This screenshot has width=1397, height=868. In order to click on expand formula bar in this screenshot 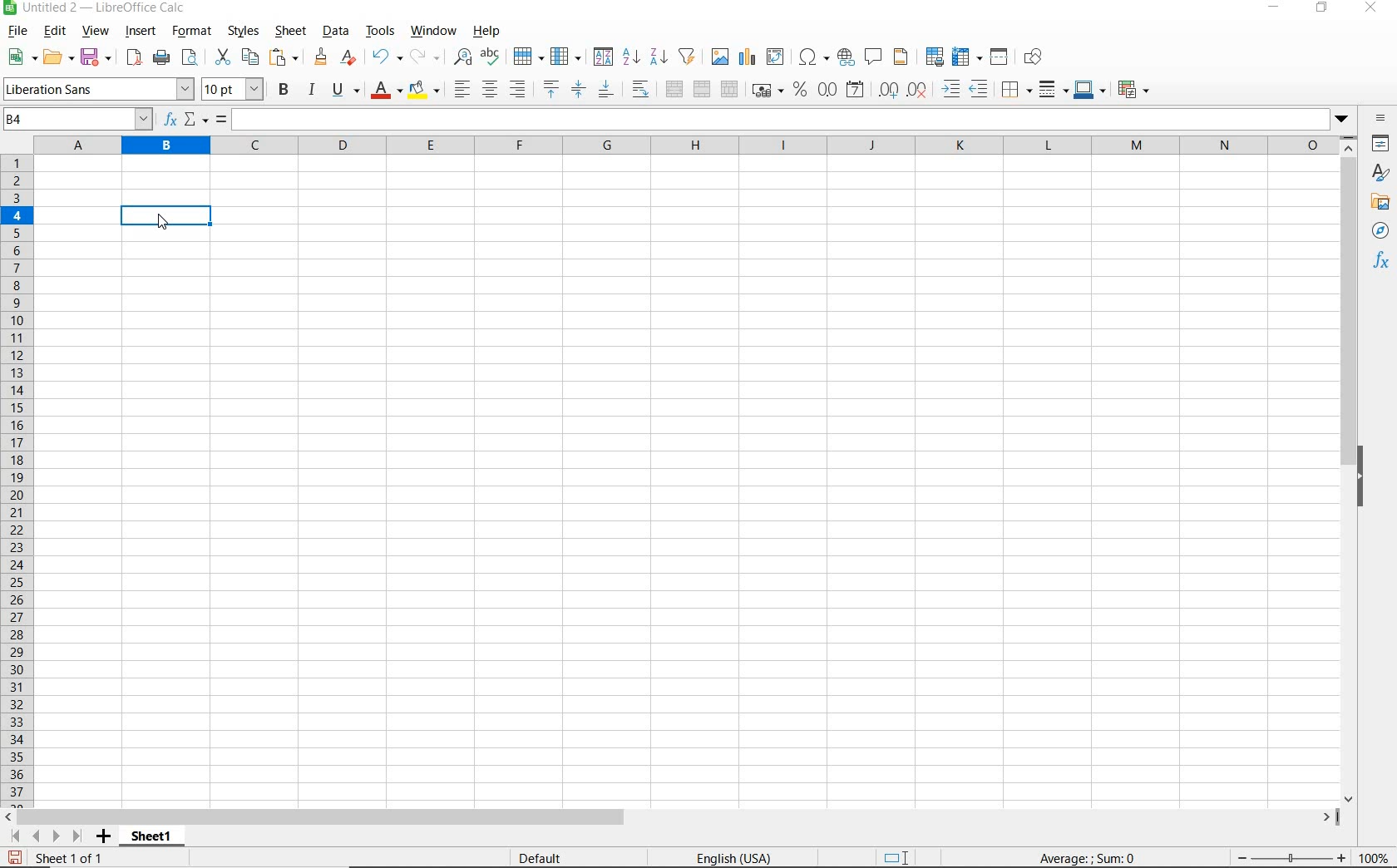, I will do `click(795, 119)`.